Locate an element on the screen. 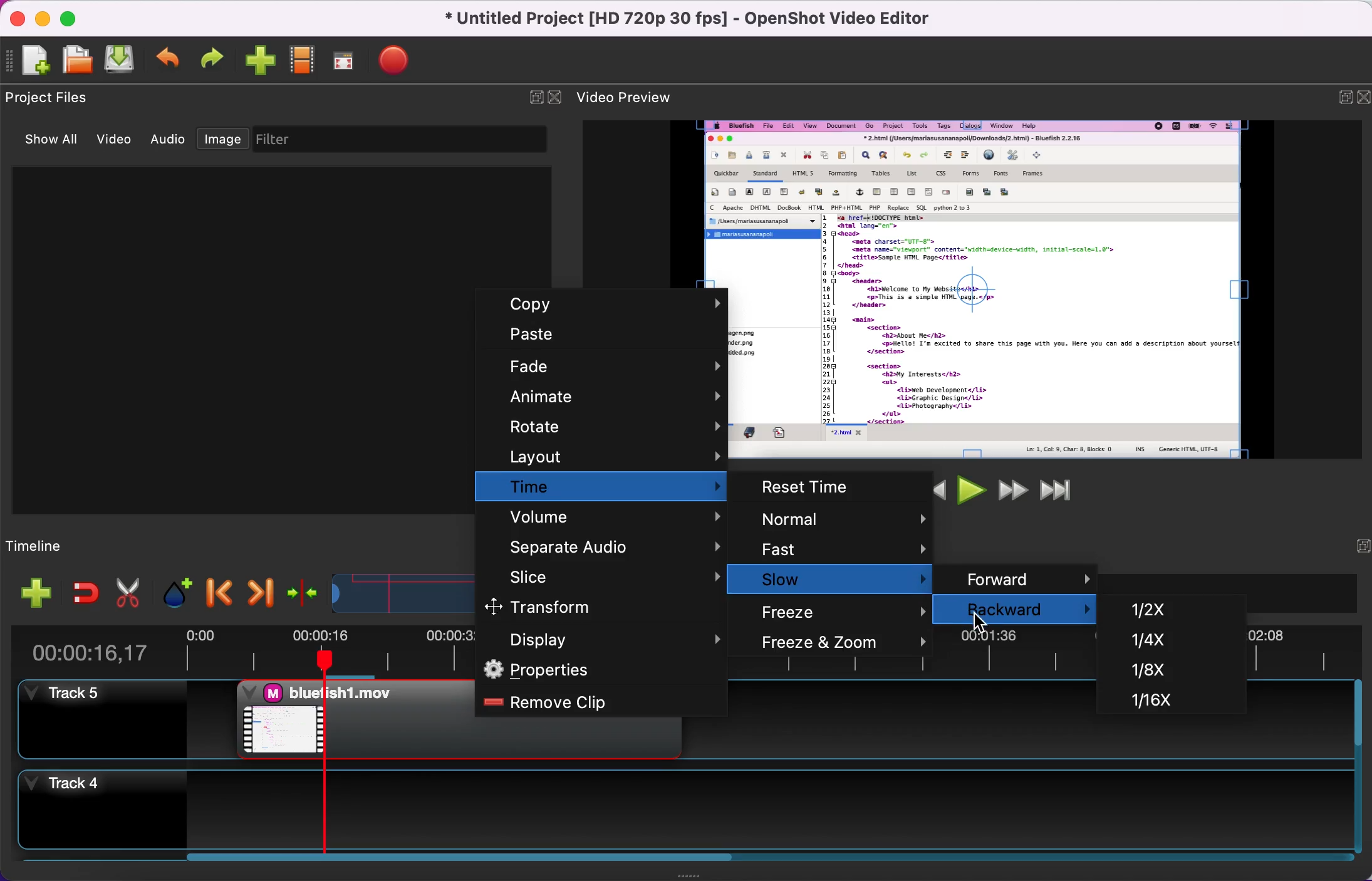 The width and height of the screenshot is (1372, 881). add file is located at coordinates (29, 593).